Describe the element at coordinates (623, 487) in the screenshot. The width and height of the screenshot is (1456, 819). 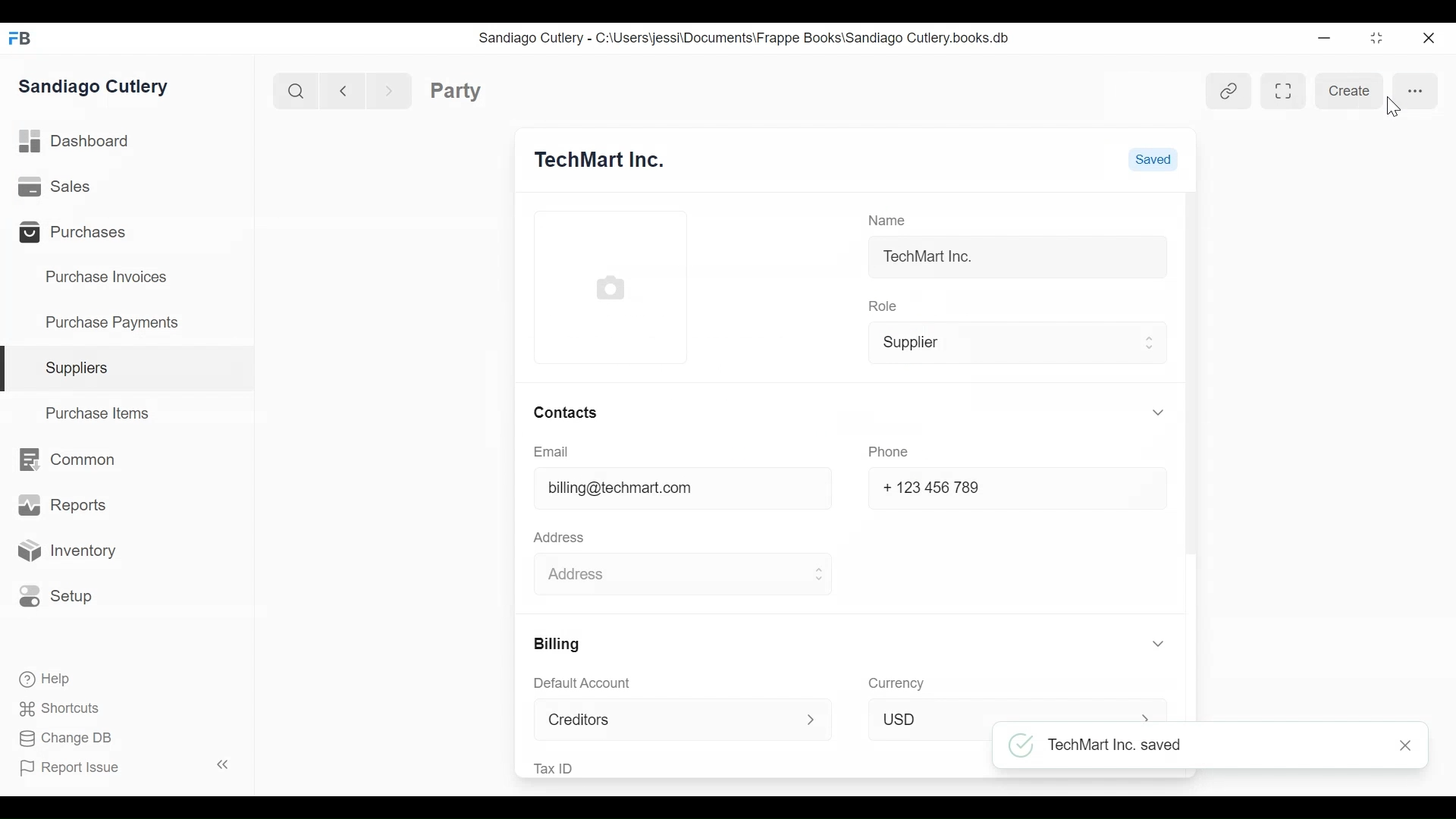
I see `billing@techmart.com` at that location.